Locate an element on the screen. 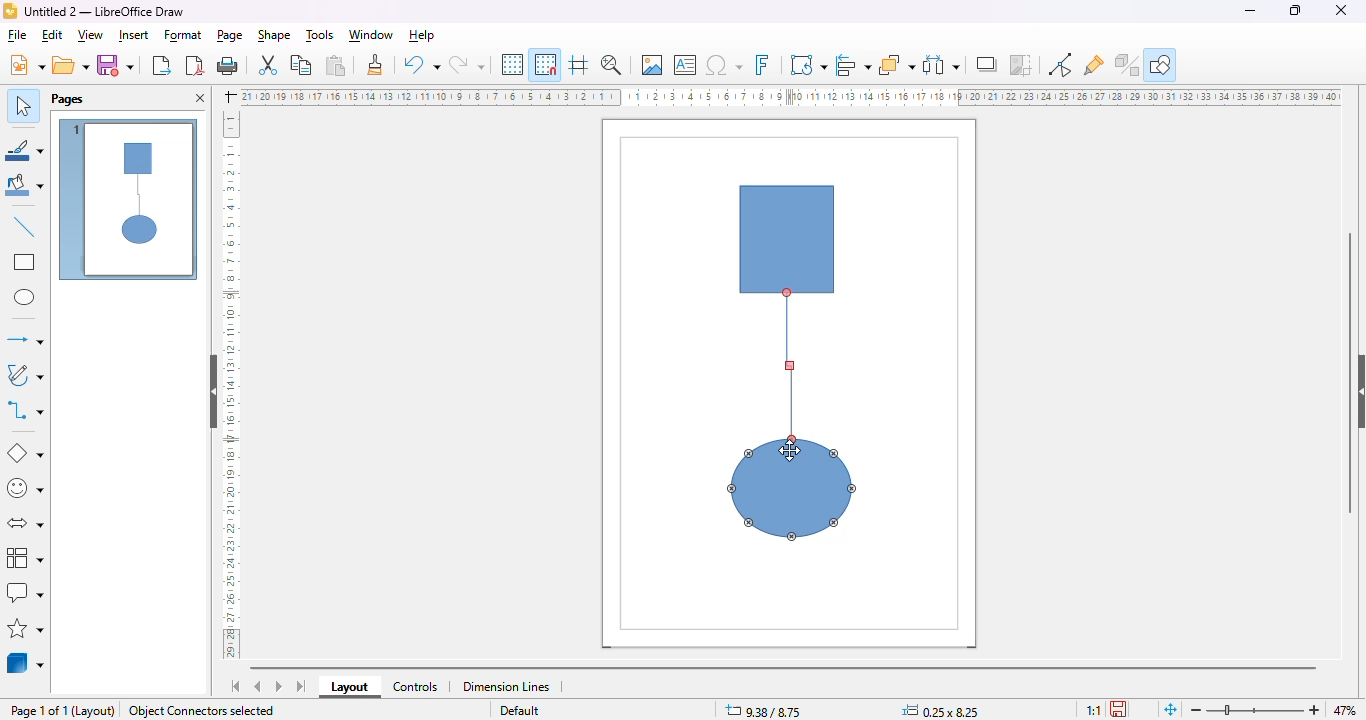 The image size is (1366, 720). object connectors selected is located at coordinates (202, 711).